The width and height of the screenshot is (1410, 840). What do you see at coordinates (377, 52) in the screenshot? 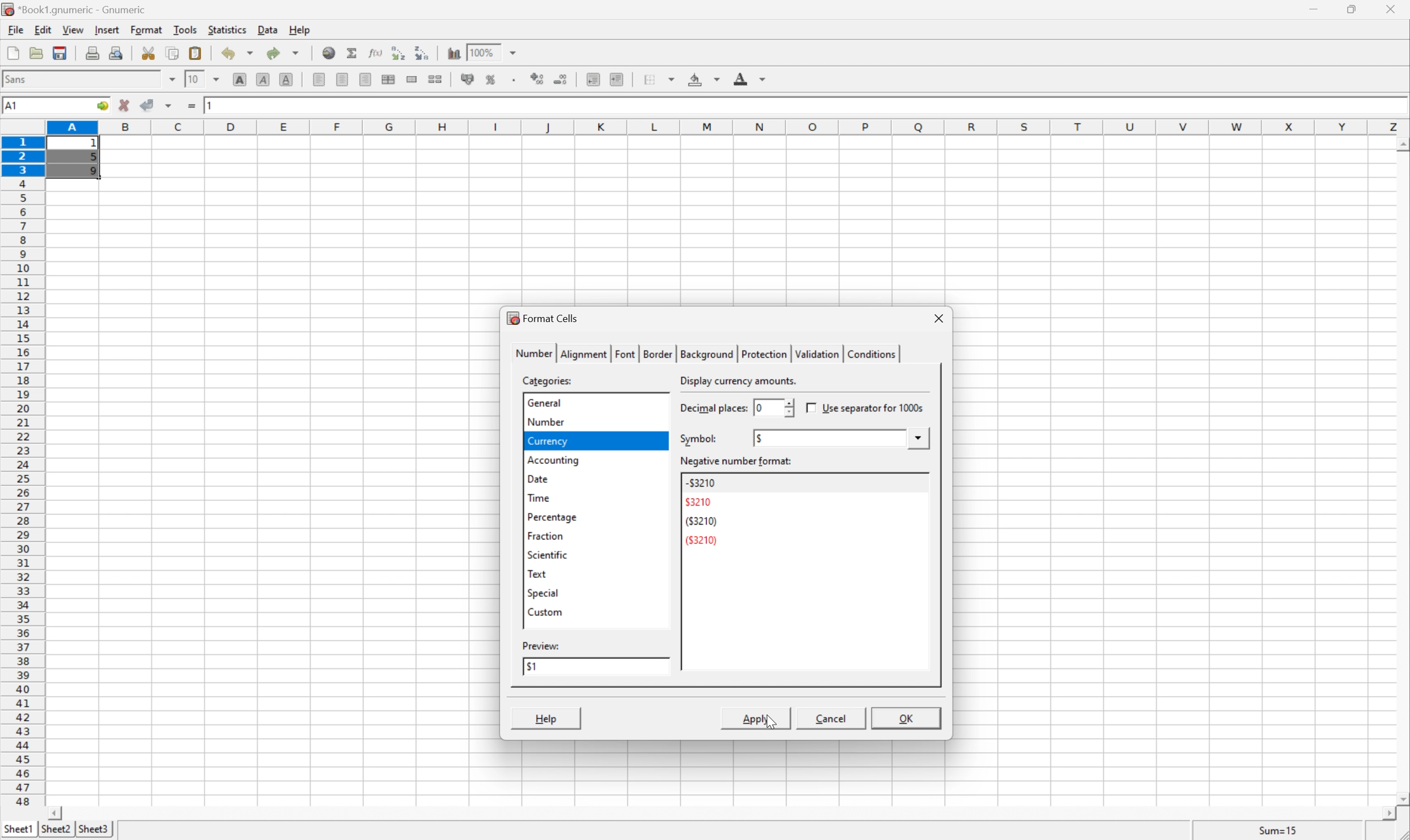
I see `edit function in current cell` at bounding box center [377, 52].